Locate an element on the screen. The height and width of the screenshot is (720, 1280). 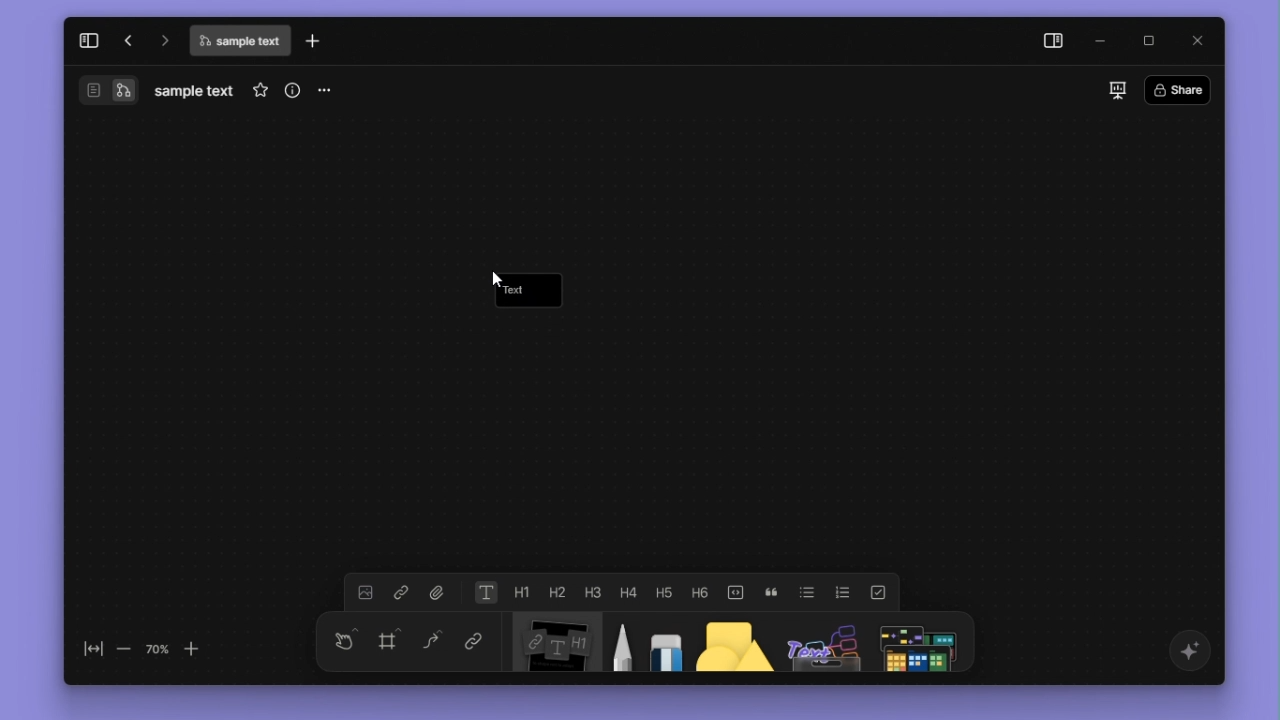
affine ai is located at coordinates (1187, 651).